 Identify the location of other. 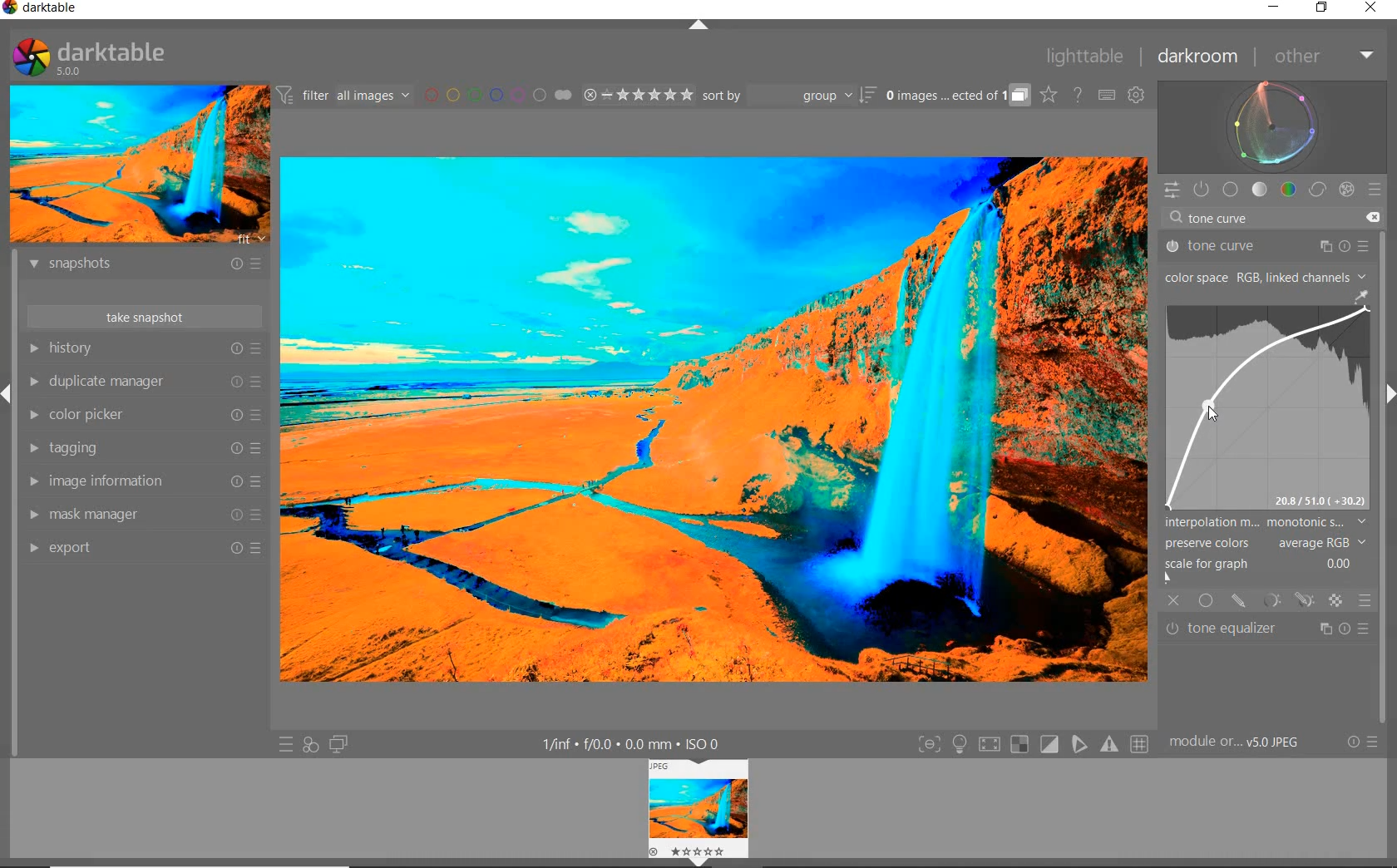
(1320, 56).